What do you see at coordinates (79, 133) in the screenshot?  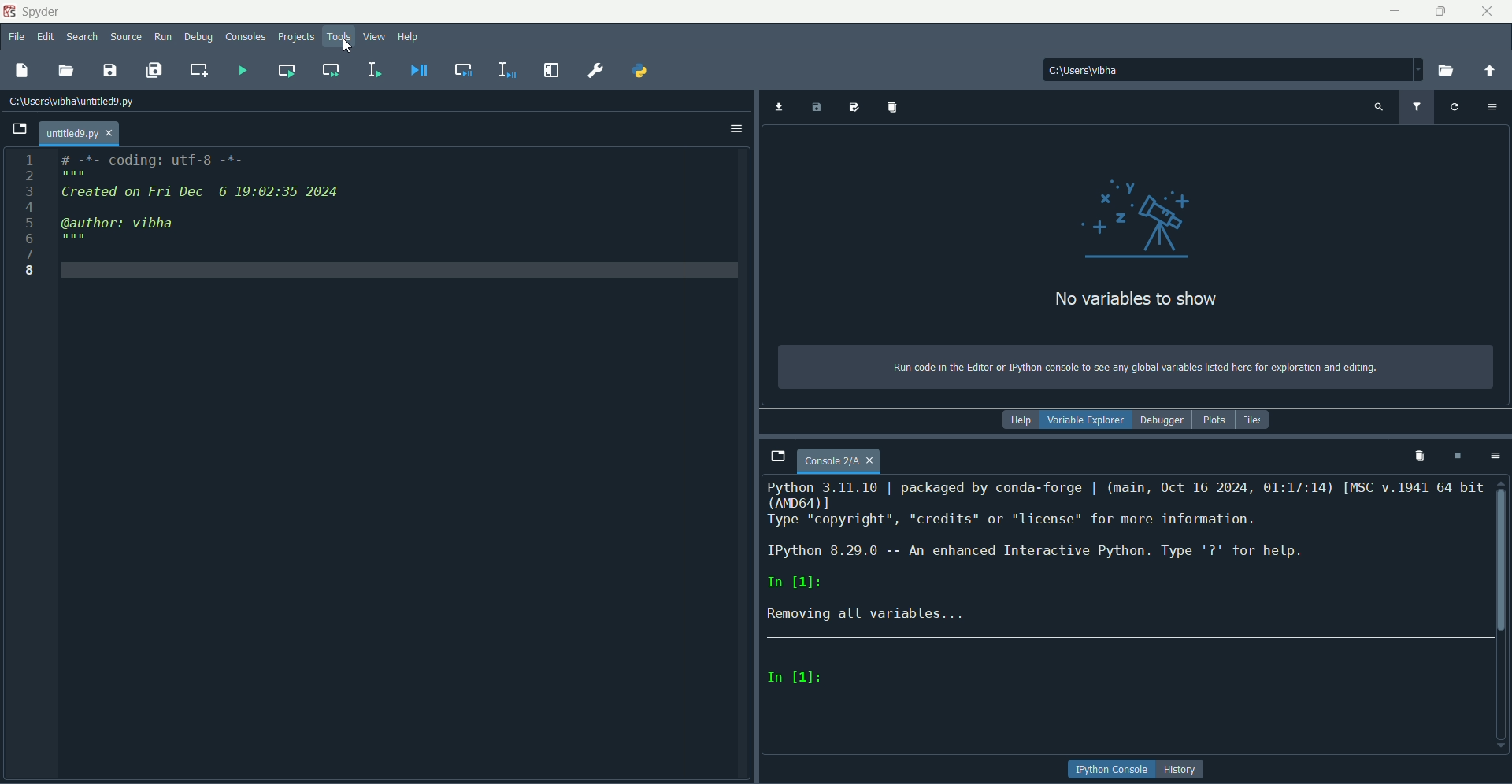 I see `tab name` at bounding box center [79, 133].